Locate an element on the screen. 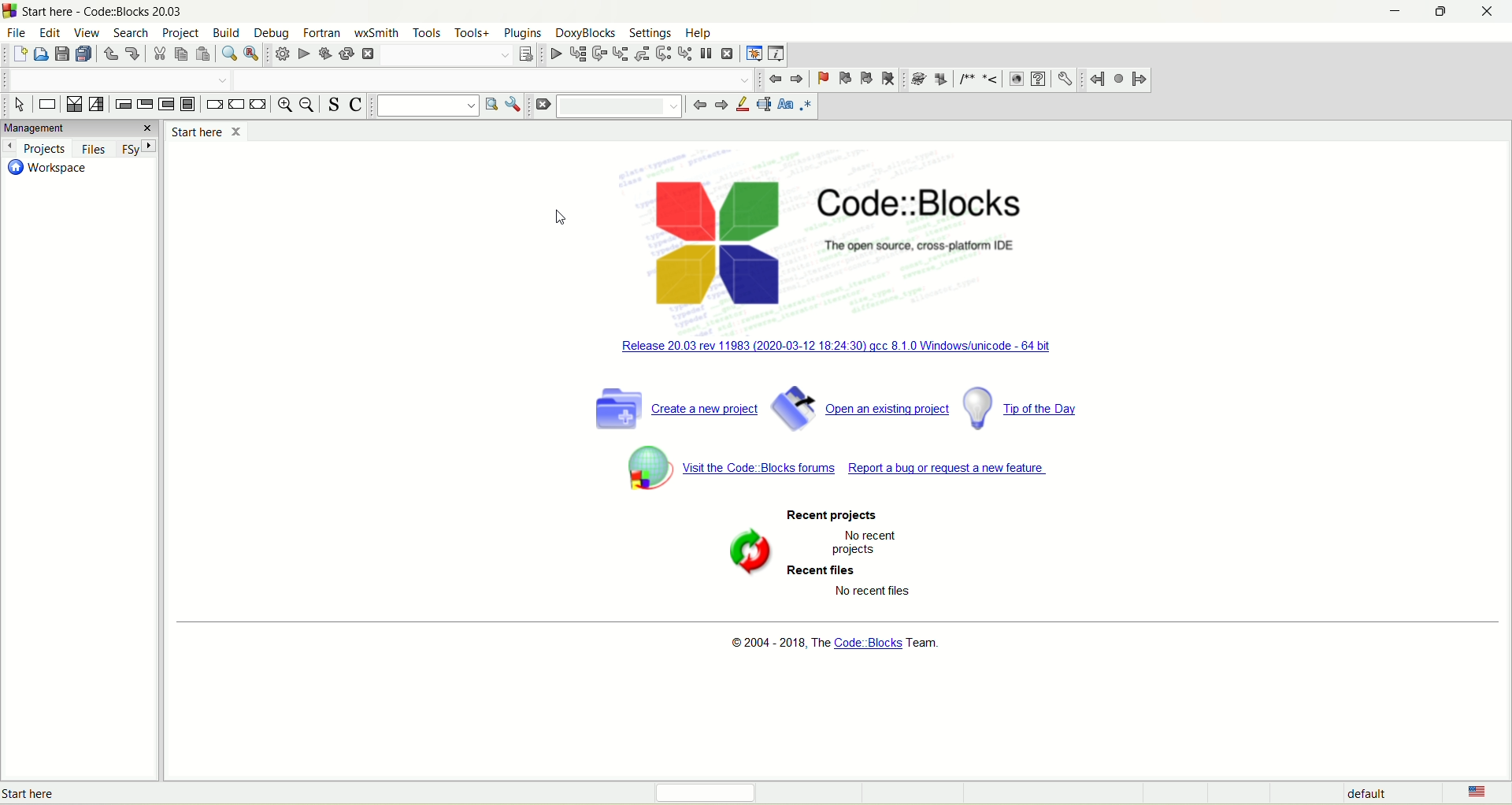 The height and width of the screenshot is (805, 1512). view is located at coordinates (87, 32).